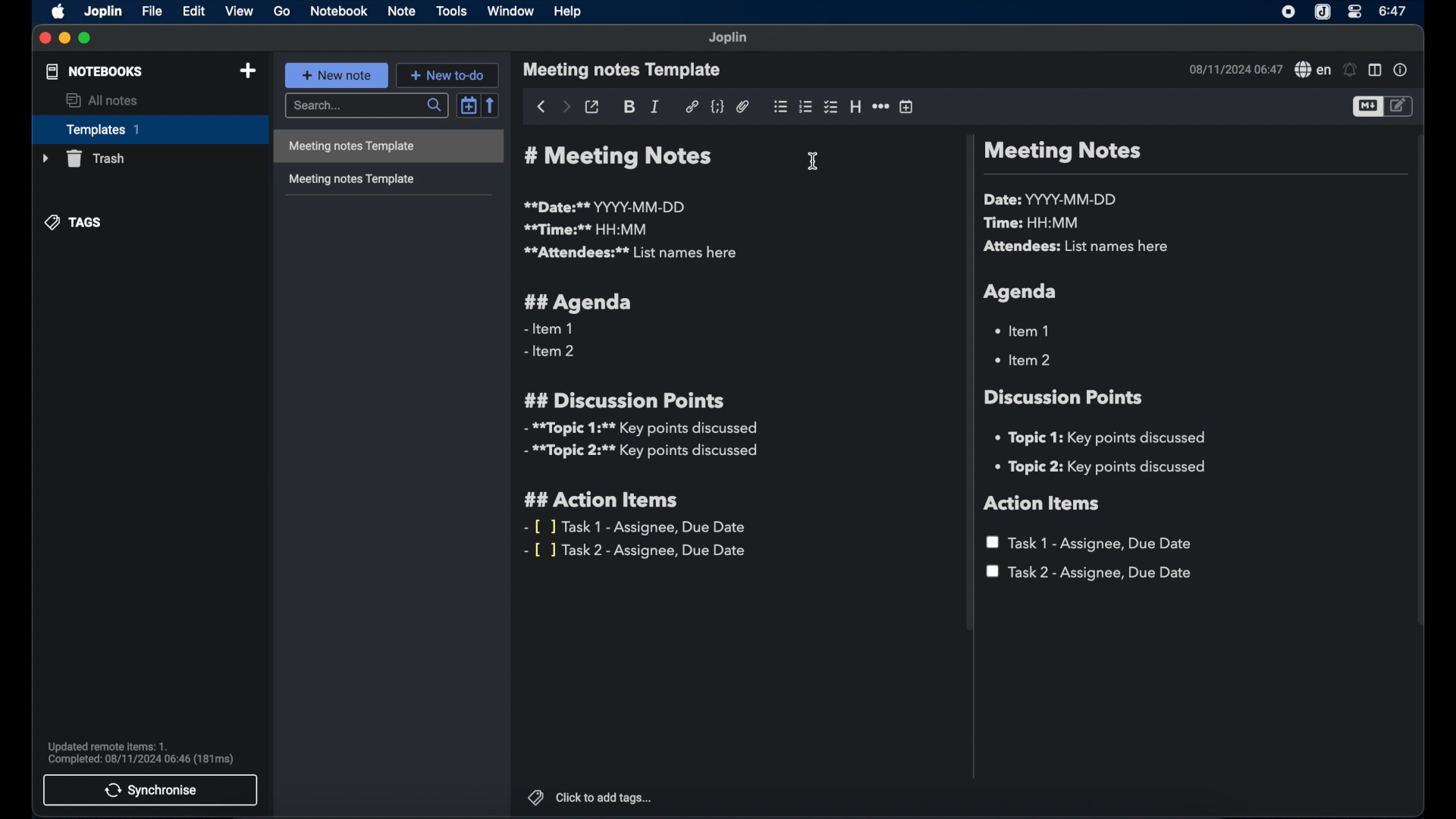 This screenshot has width=1456, height=819. I want to click on **time:** HH:MM, so click(586, 229).